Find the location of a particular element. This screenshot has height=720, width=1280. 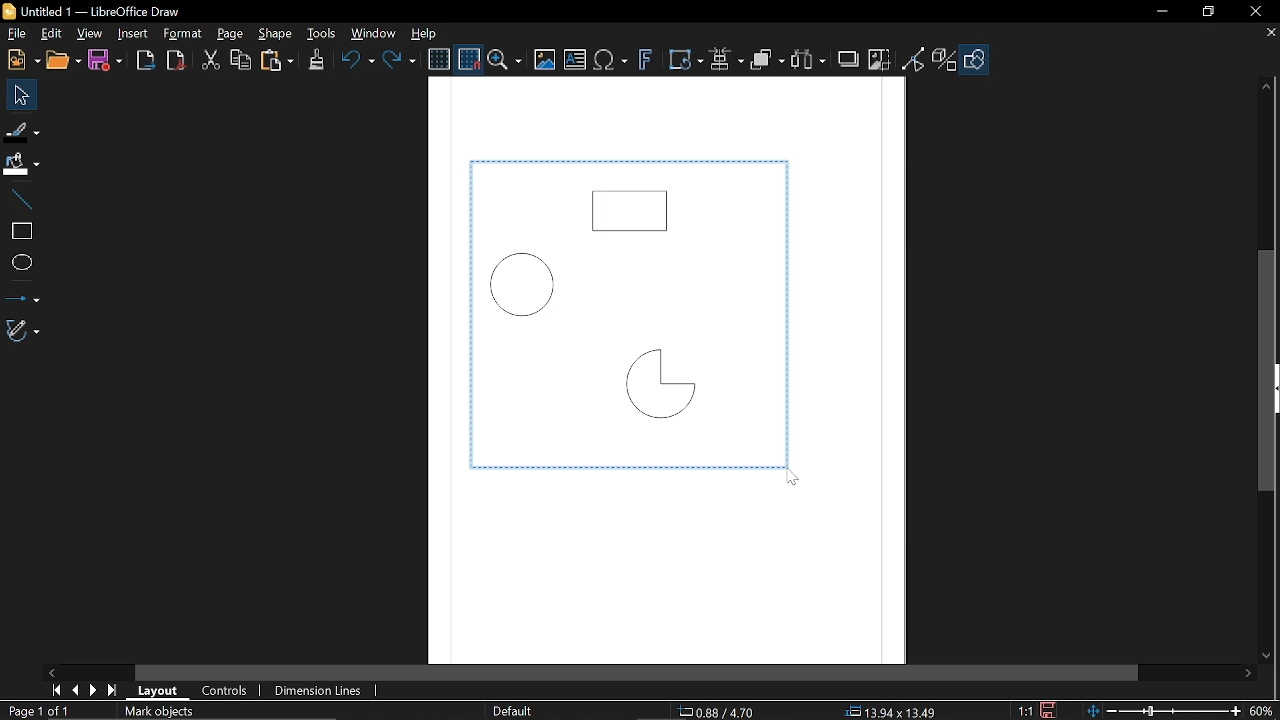

File is located at coordinates (17, 36).